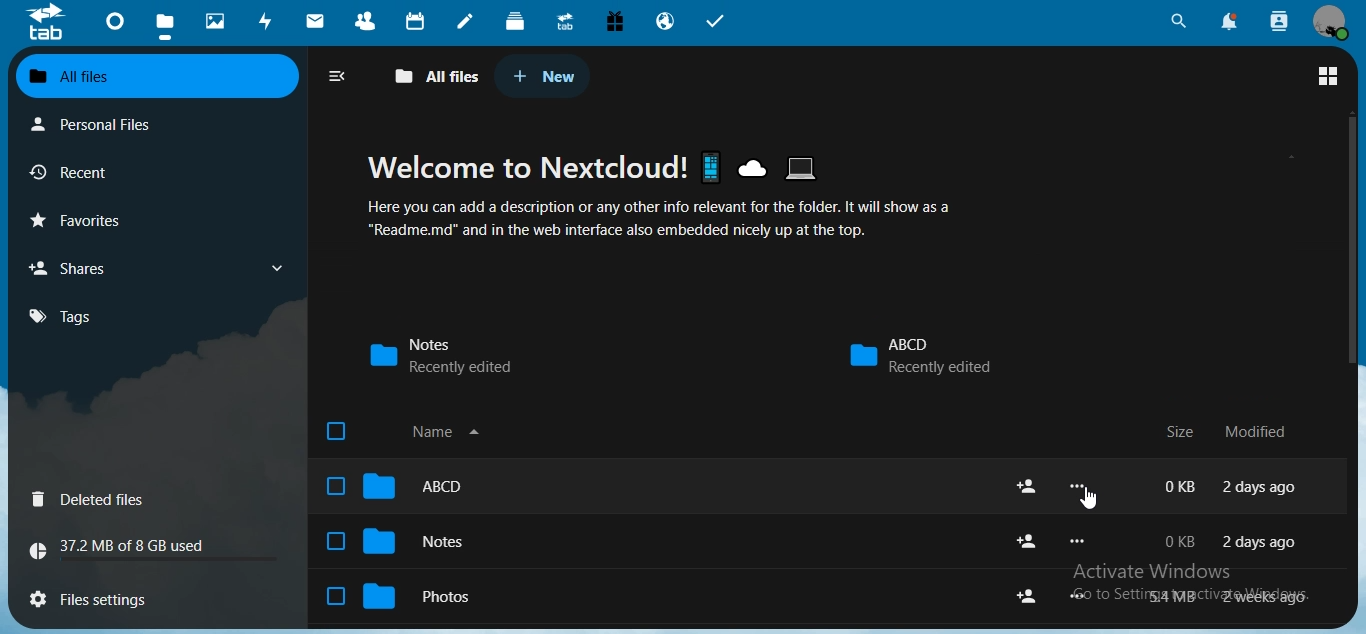 The width and height of the screenshot is (1366, 634). I want to click on ..., so click(1077, 541).